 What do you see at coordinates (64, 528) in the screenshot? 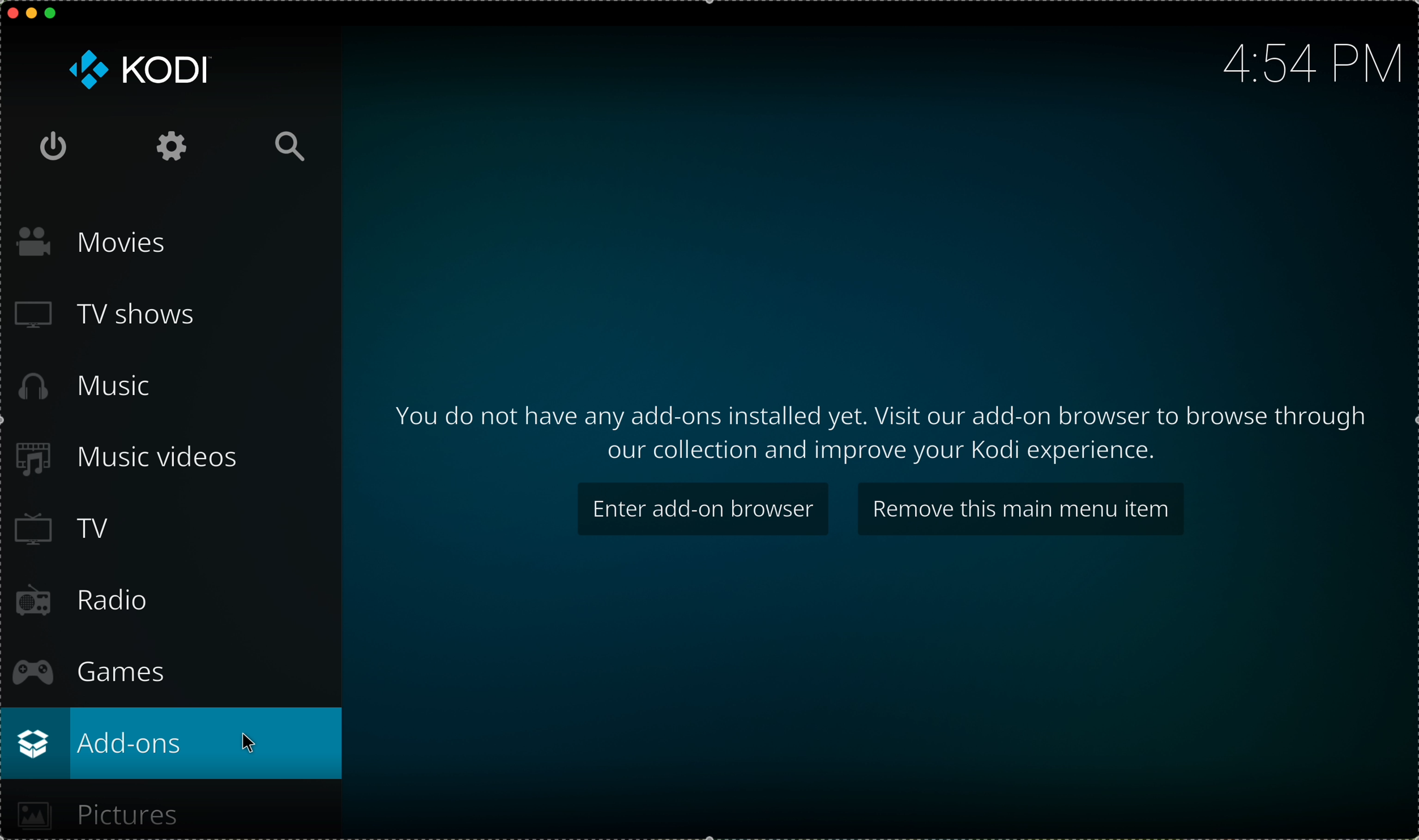
I see `TV` at bounding box center [64, 528].